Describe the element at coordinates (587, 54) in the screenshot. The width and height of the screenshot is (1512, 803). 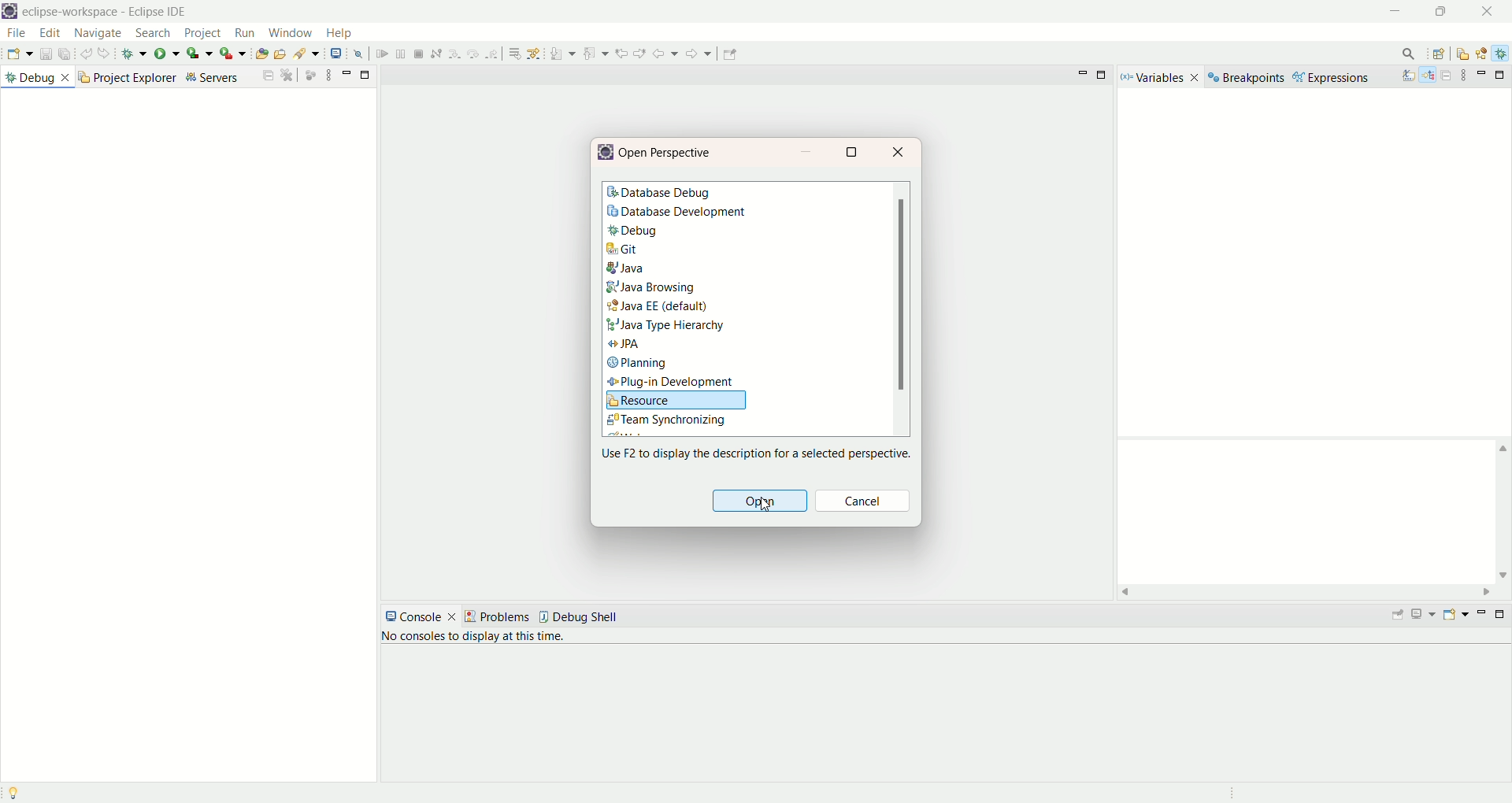
I see `step over` at that location.